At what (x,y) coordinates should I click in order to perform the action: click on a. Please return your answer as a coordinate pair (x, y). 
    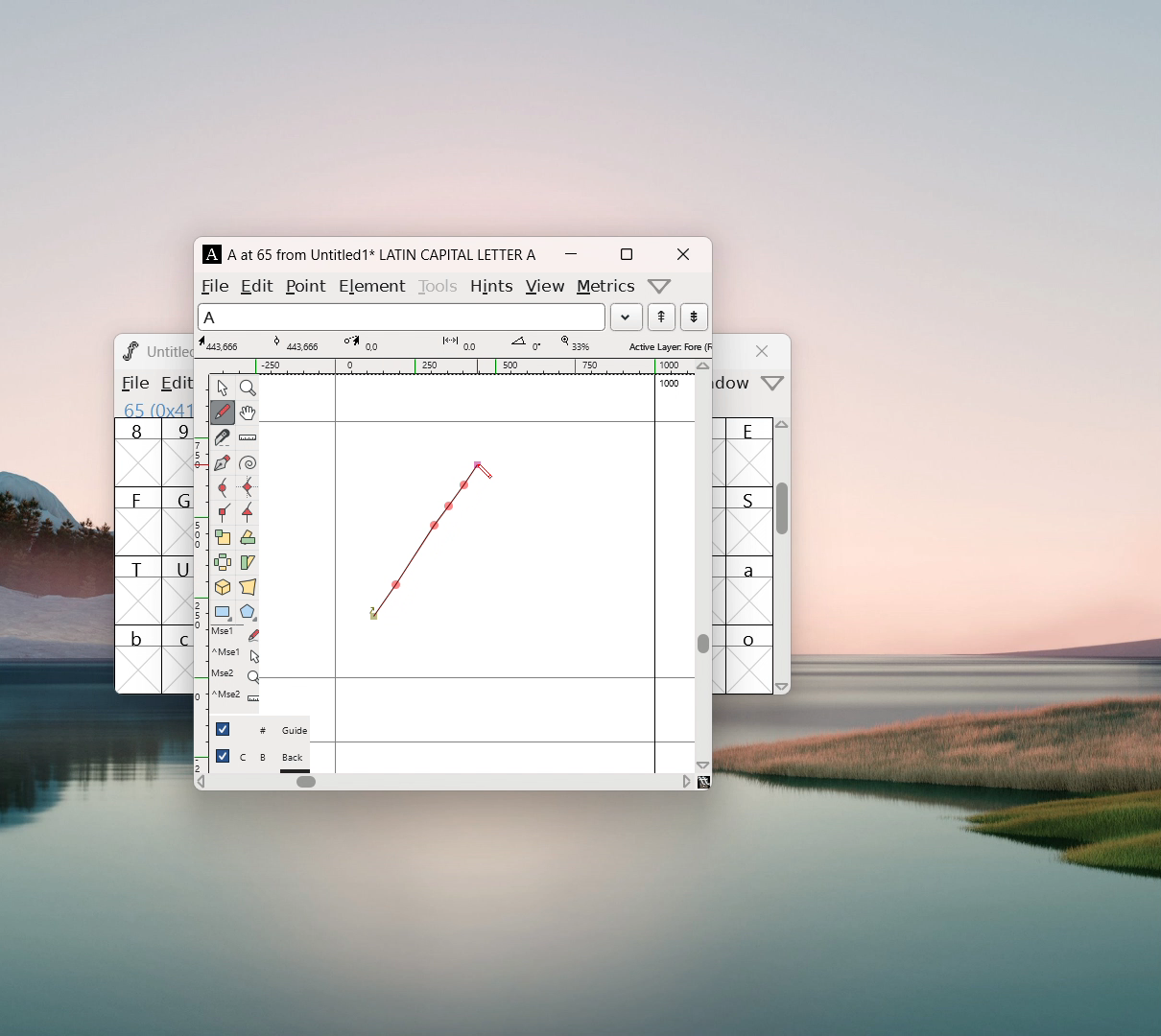
    Looking at the image, I should click on (750, 590).